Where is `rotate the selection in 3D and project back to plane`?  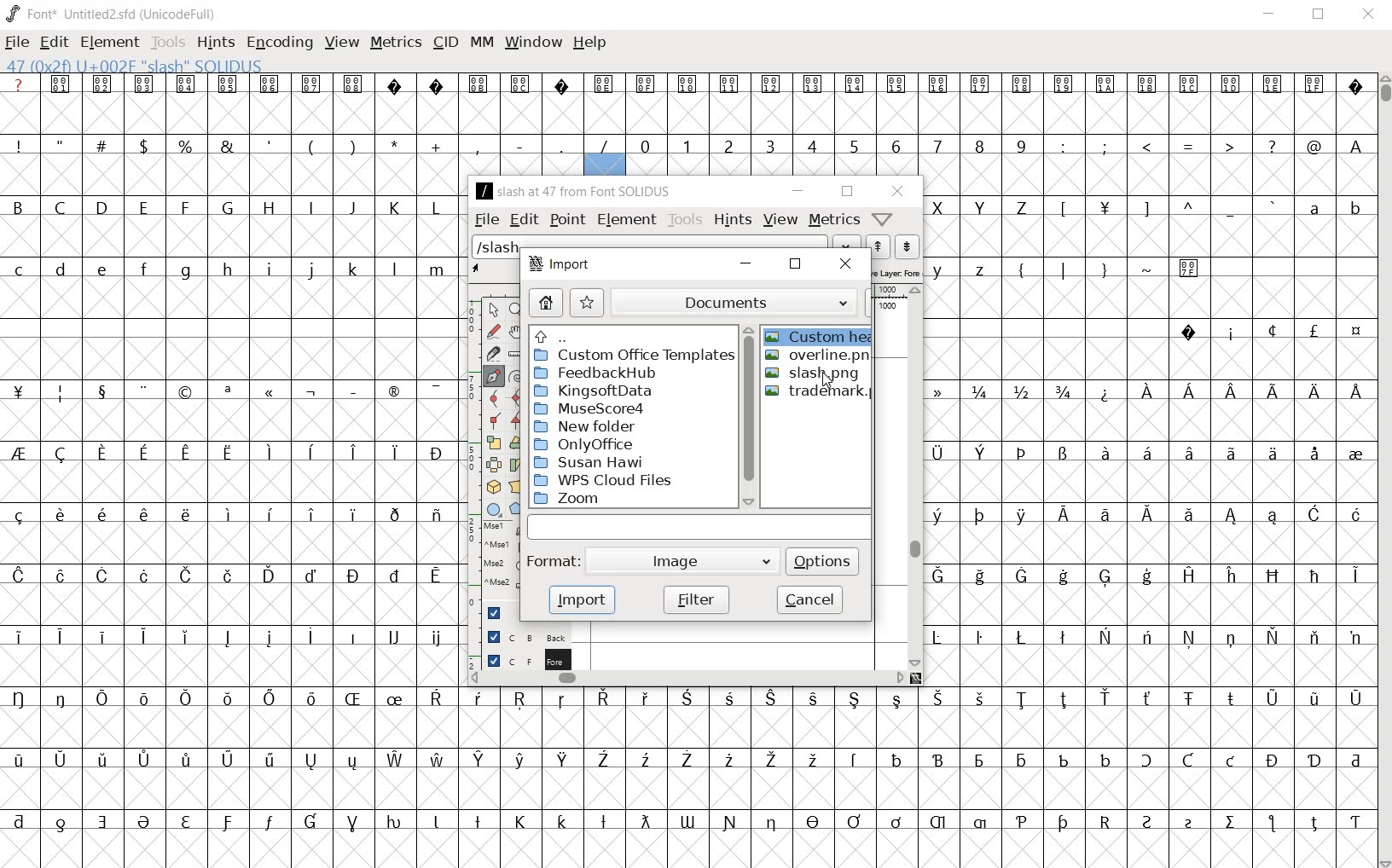
rotate the selection in 3D and project back to plane is located at coordinates (494, 488).